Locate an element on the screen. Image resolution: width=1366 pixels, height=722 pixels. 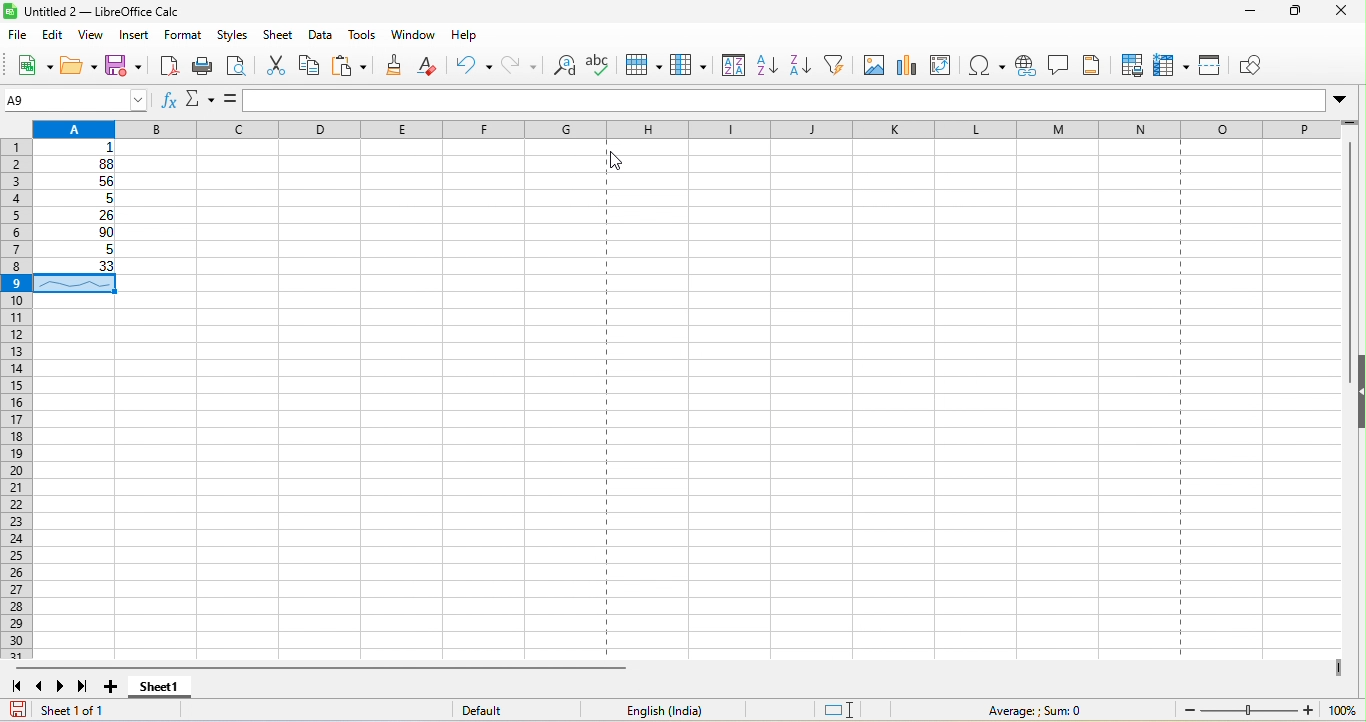
clone formatting is located at coordinates (396, 65).